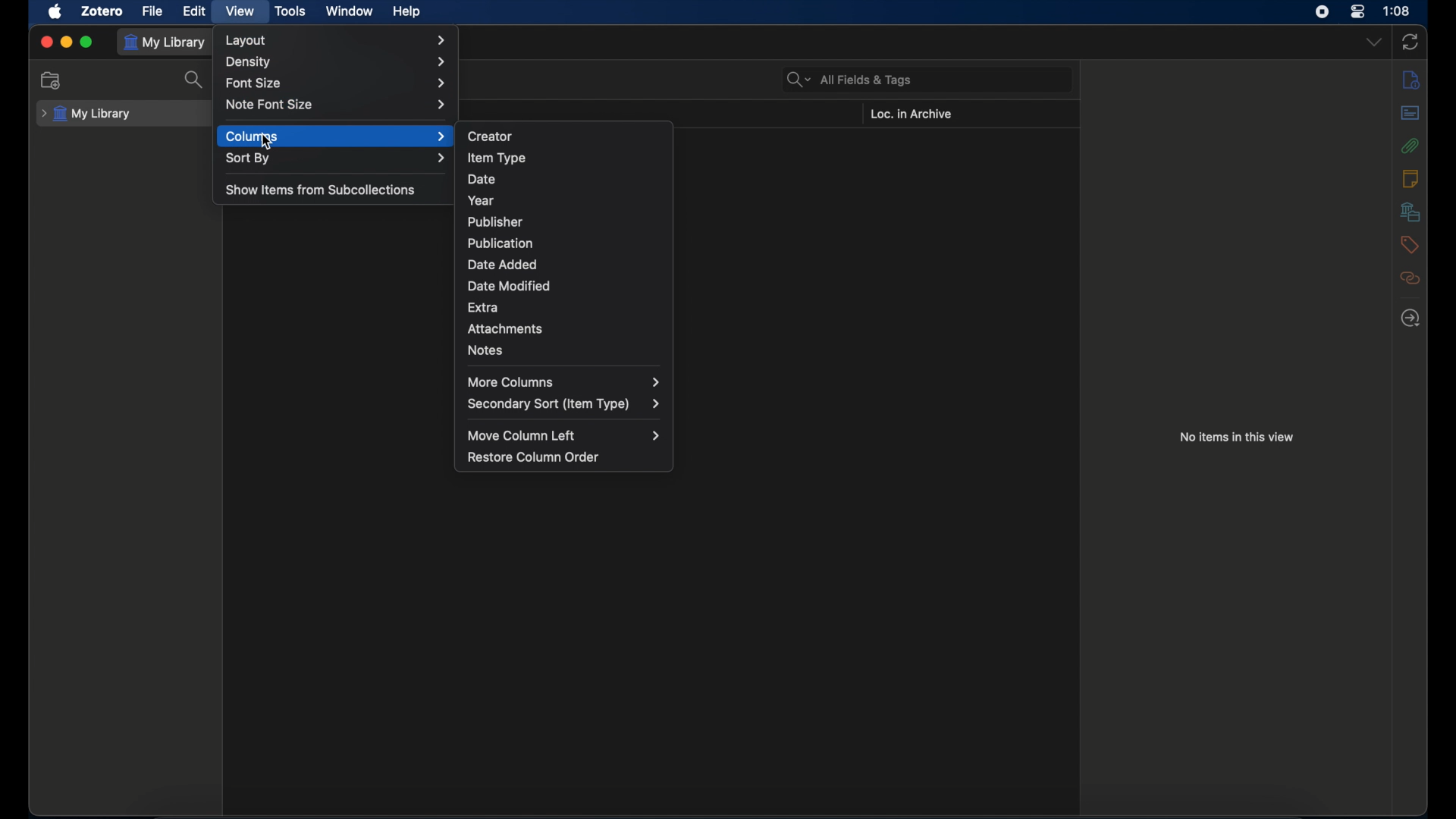 This screenshot has width=1456, height=819. What do you see at coordinates (1409, 245) in the screenshot?
I see `tags` at bounding box center [1409, 245].